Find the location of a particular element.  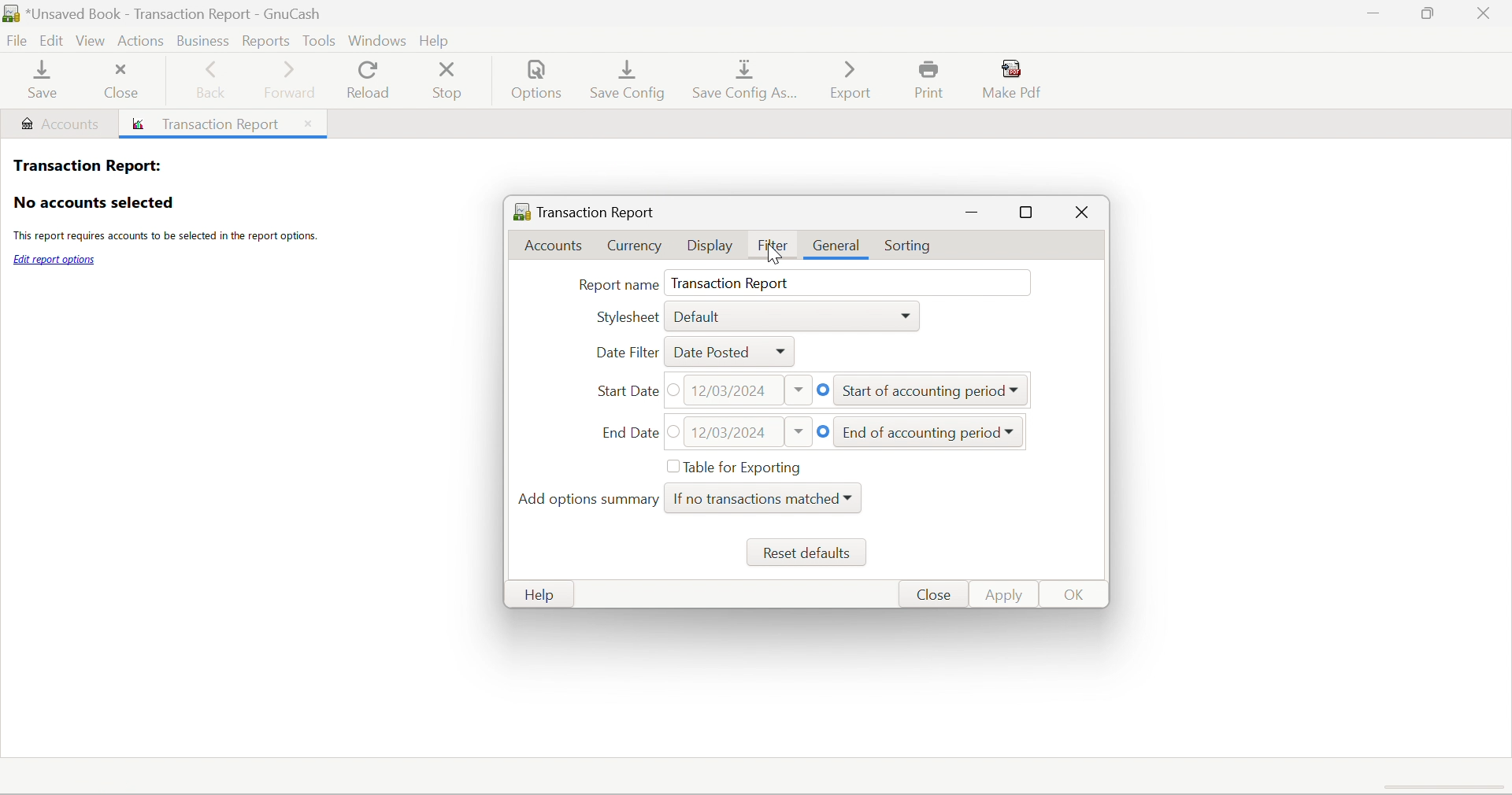

End of accounting period is located at coordinates (920, 434).